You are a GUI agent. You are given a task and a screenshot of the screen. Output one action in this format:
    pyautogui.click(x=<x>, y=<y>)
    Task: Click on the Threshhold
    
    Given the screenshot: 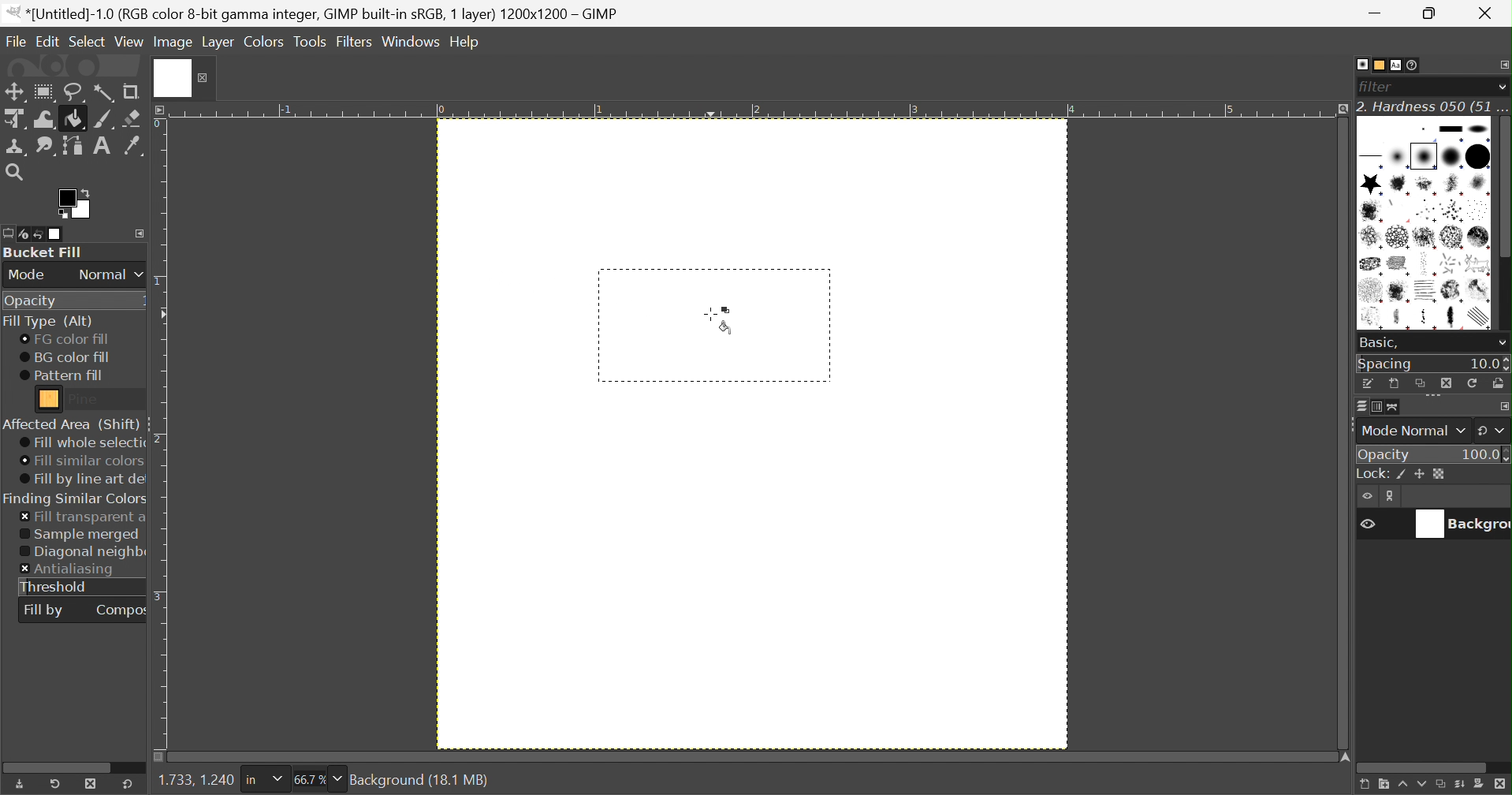 What is the action you would take?
    pyautogui.click(x=54, y=587)
    